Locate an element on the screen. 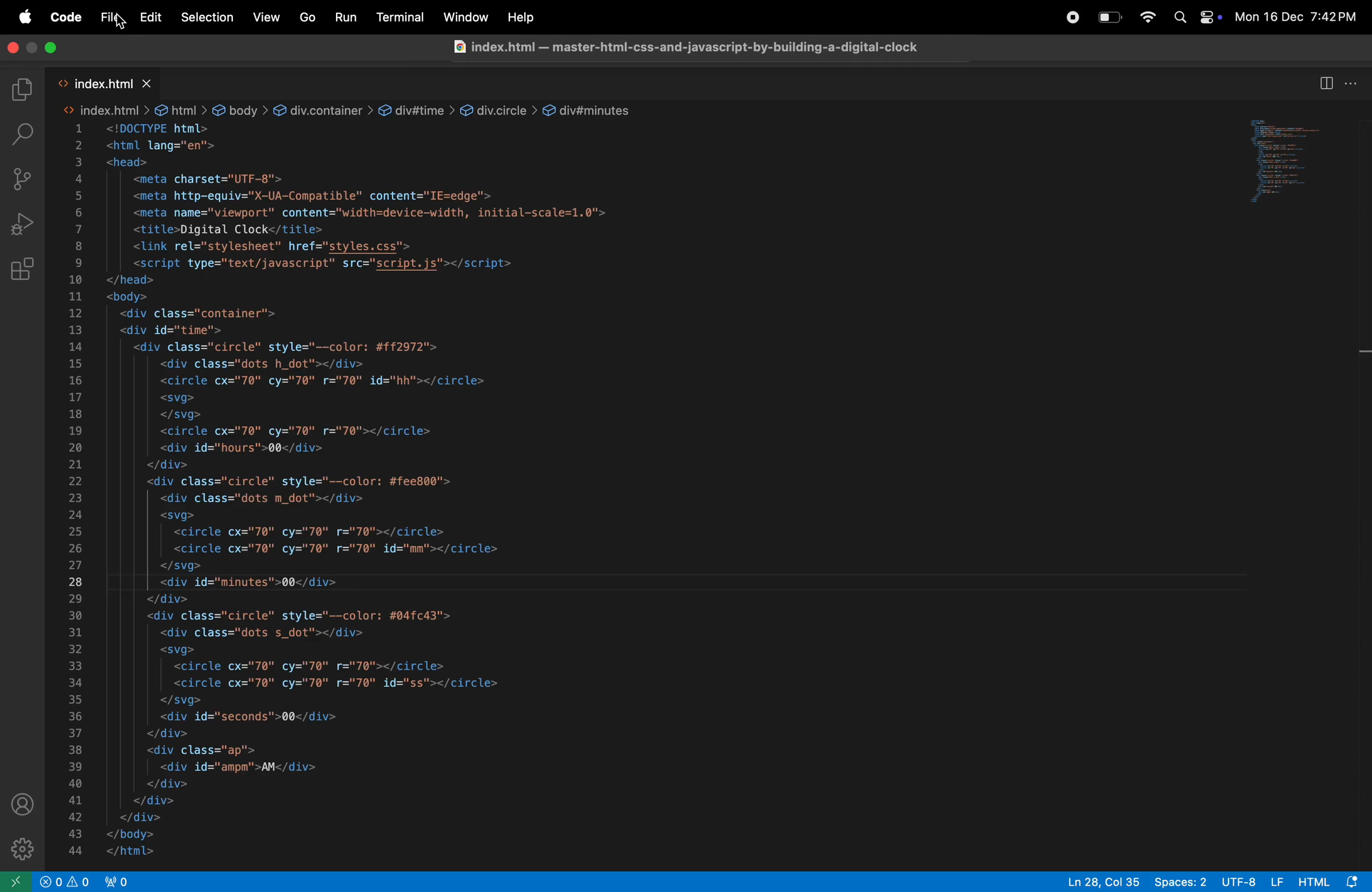 The image size is (1372, 892). indexhtml.file is located at coordinates (97, 82).